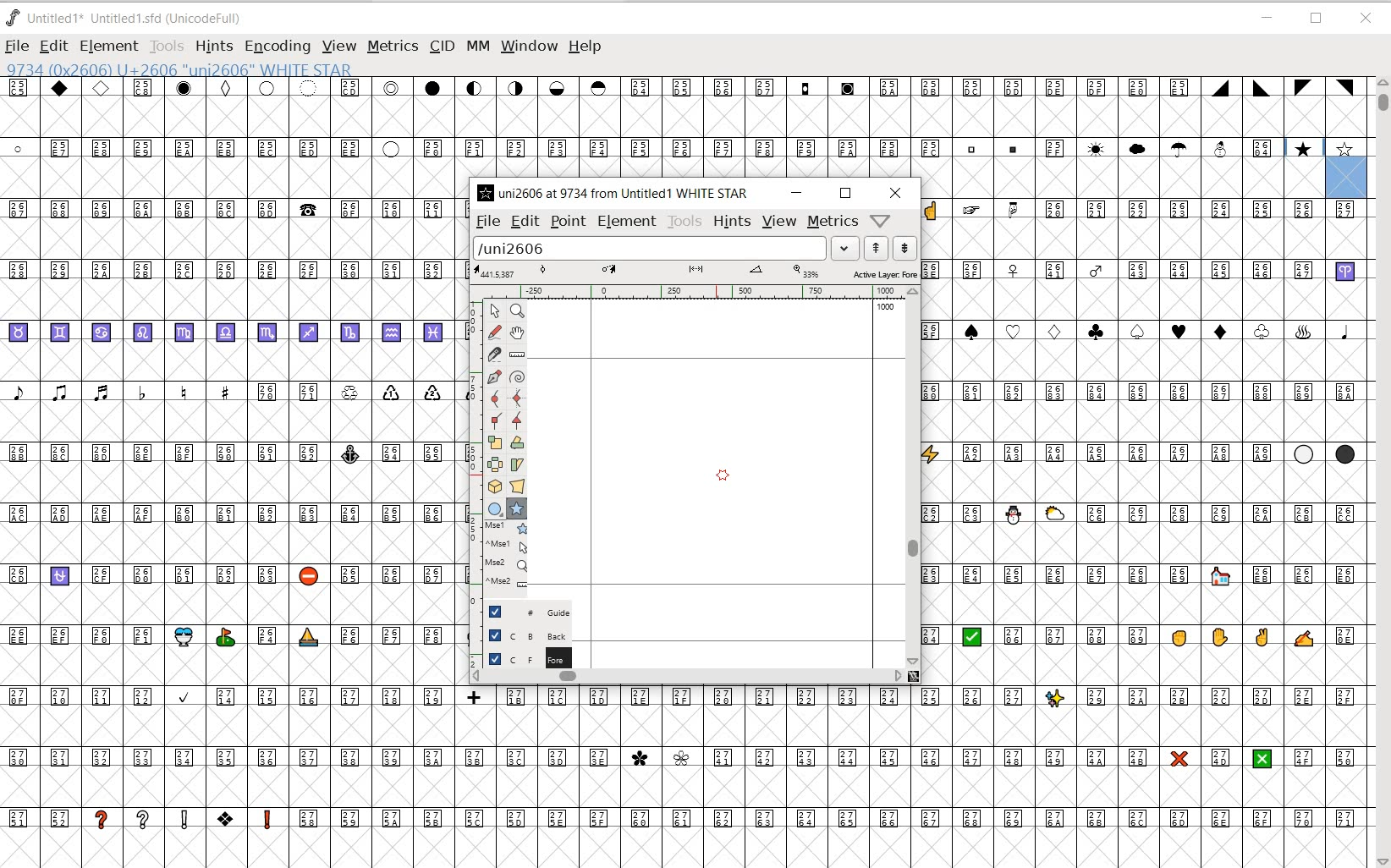  I want to click on CID, so click(442, 47).